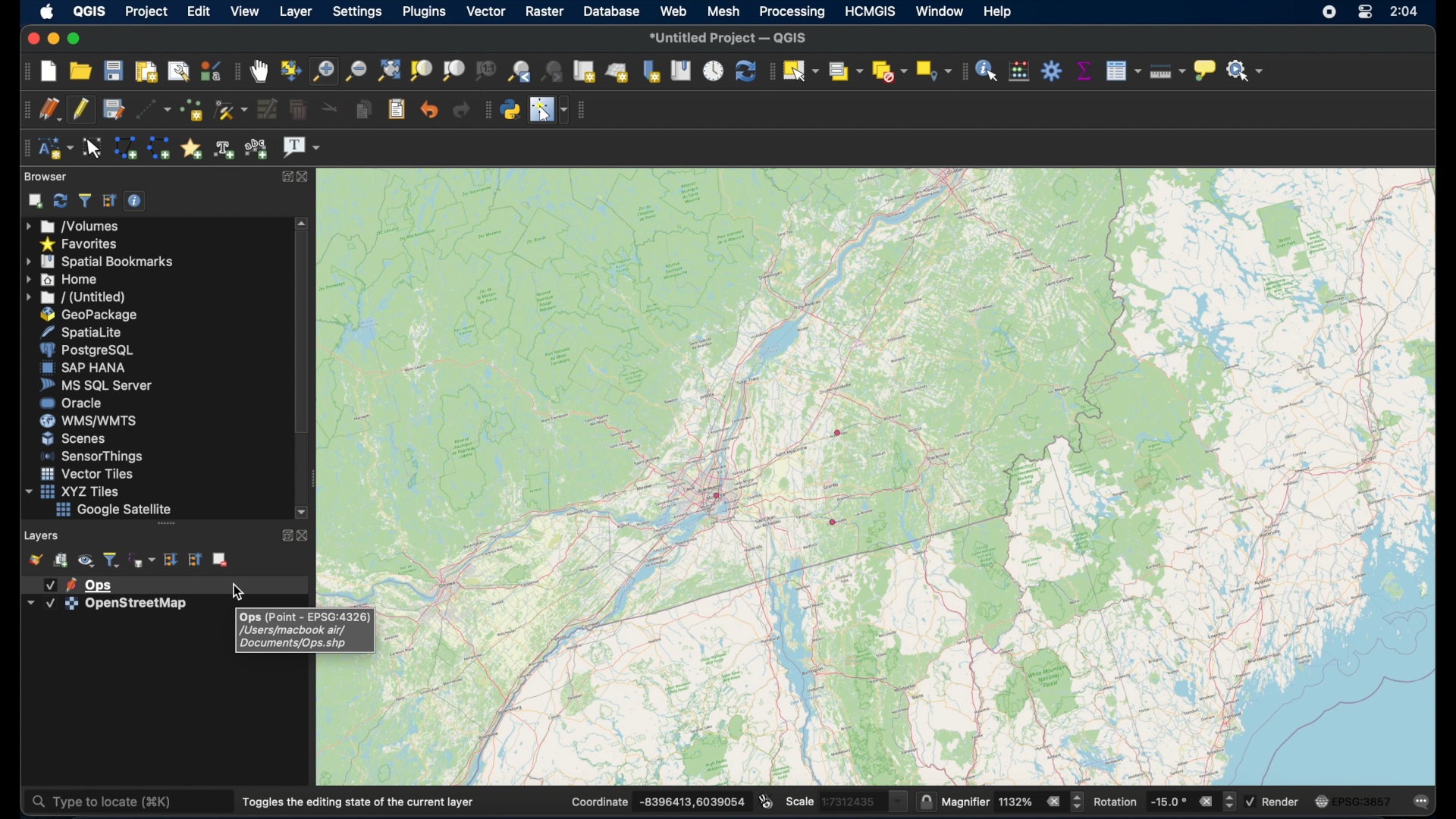  Describe the element at coordinates (33, 202) in the screenshot. I see `add selected layer` at that location.